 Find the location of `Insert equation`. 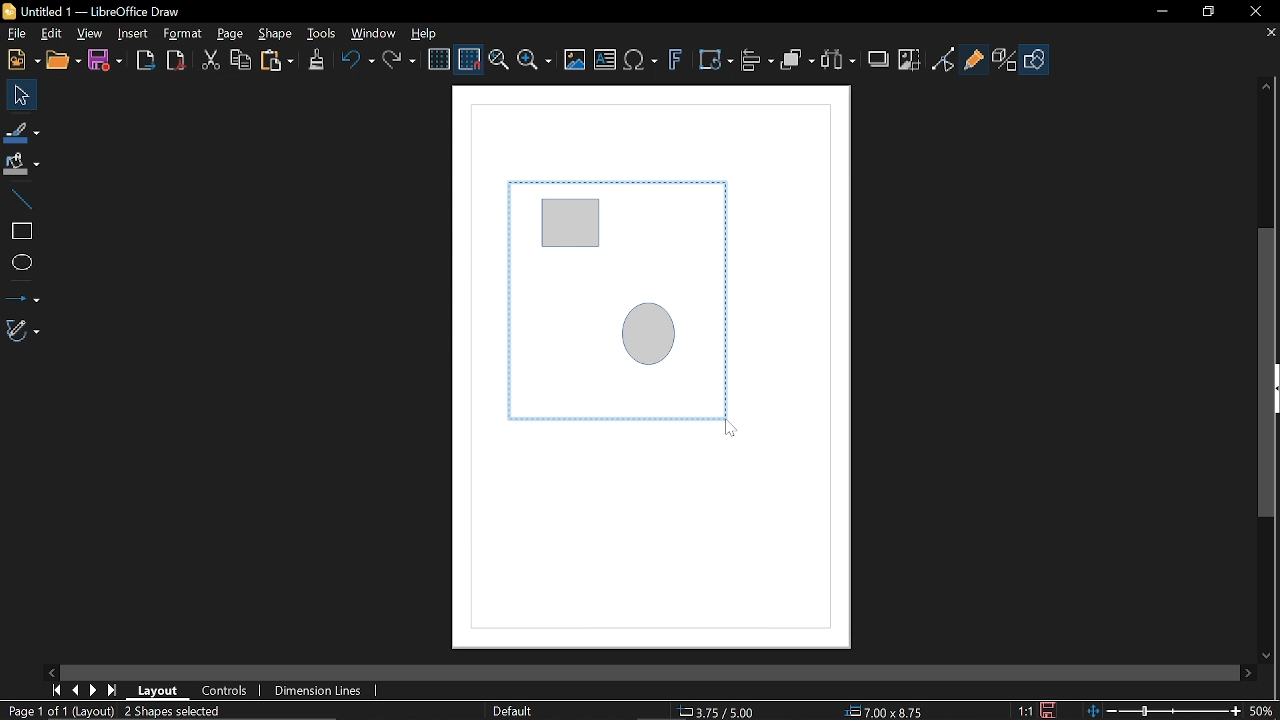

Insert equation is located at coordinates (643, 60).